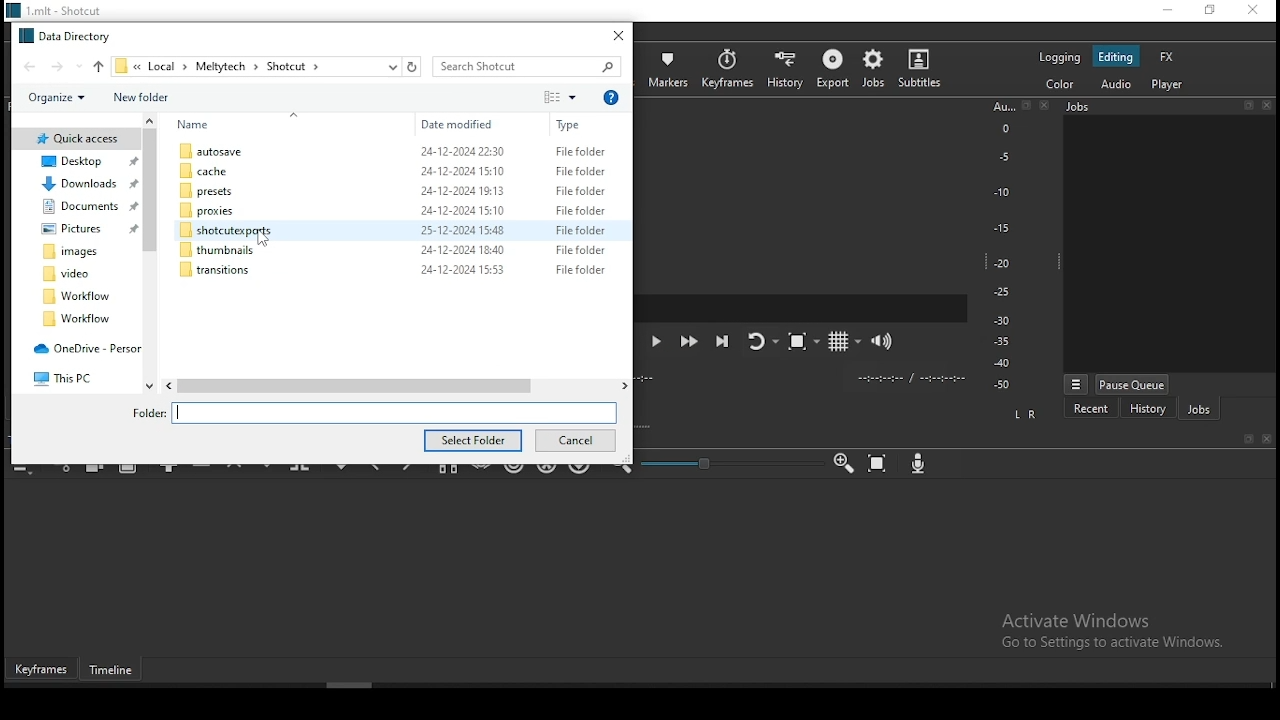 The image size is (1280, 720). I want to click on new folder, so click(140, 97).